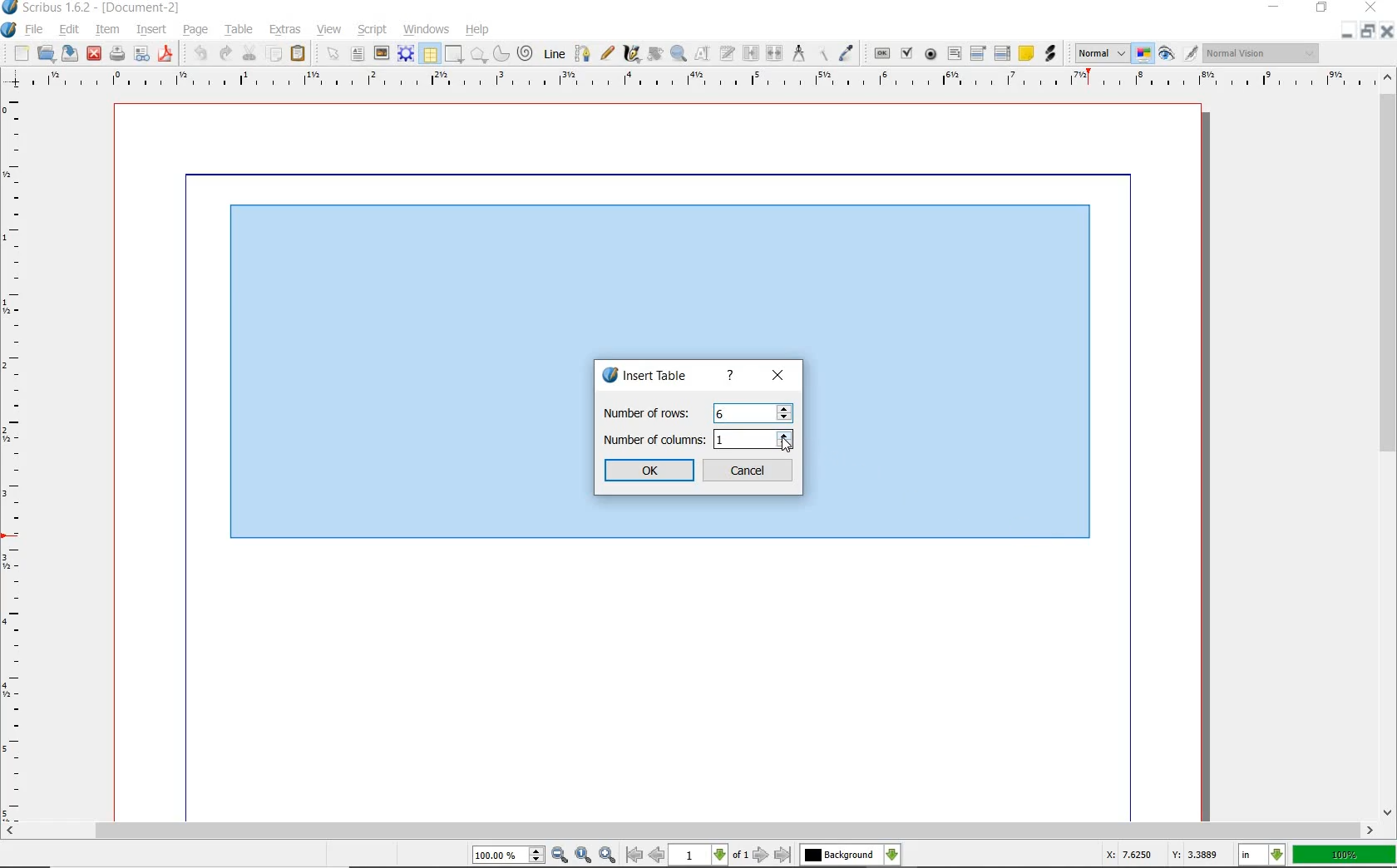 The height and width of the screenshot is (868, 1397). What do you see at coordinates (111, 31) in the screenshot?
I see `item` at bounding box center [111, 31].